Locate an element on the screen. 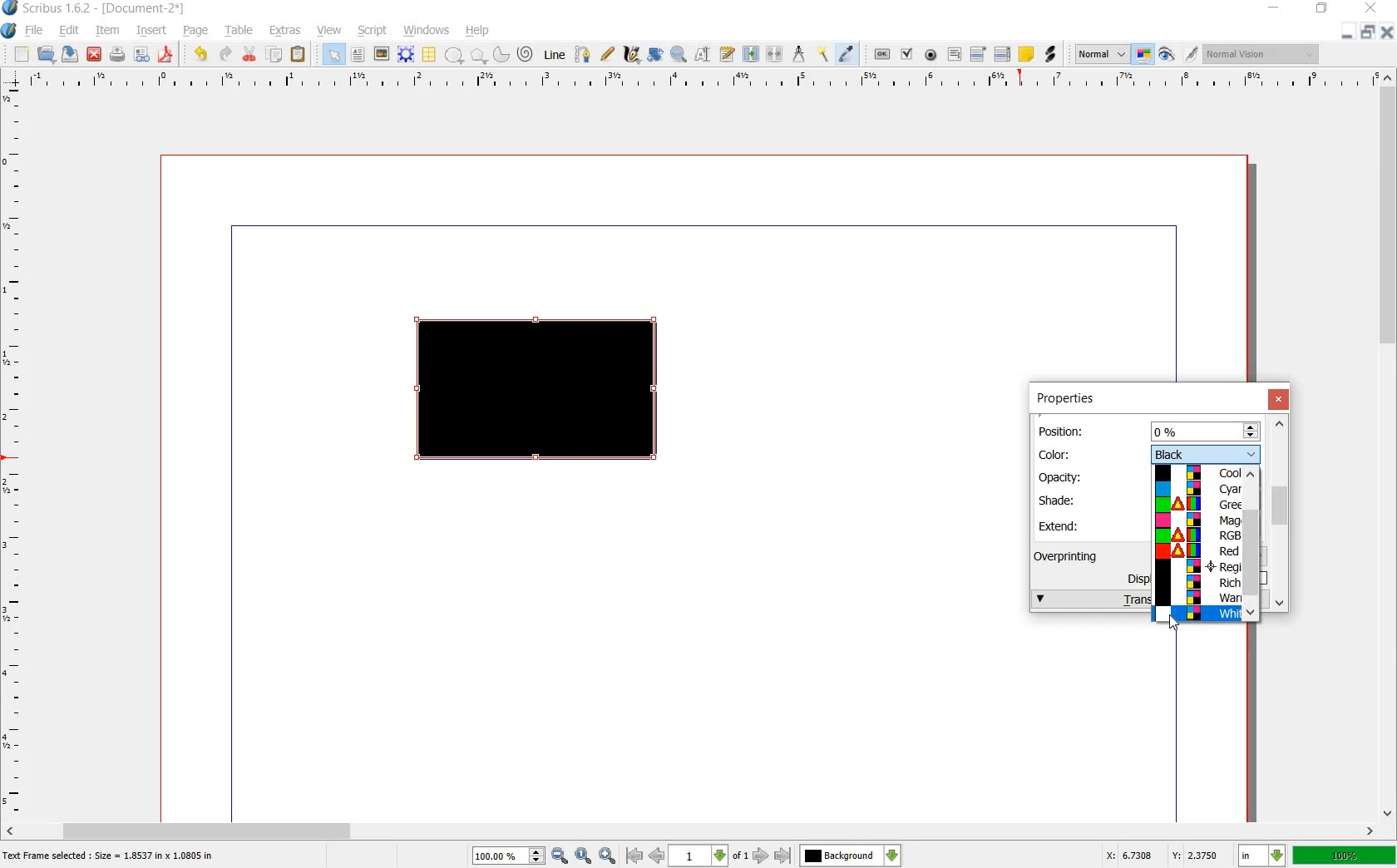 The image size is (1397, 868). system logo is located at coordinates (8, 31).